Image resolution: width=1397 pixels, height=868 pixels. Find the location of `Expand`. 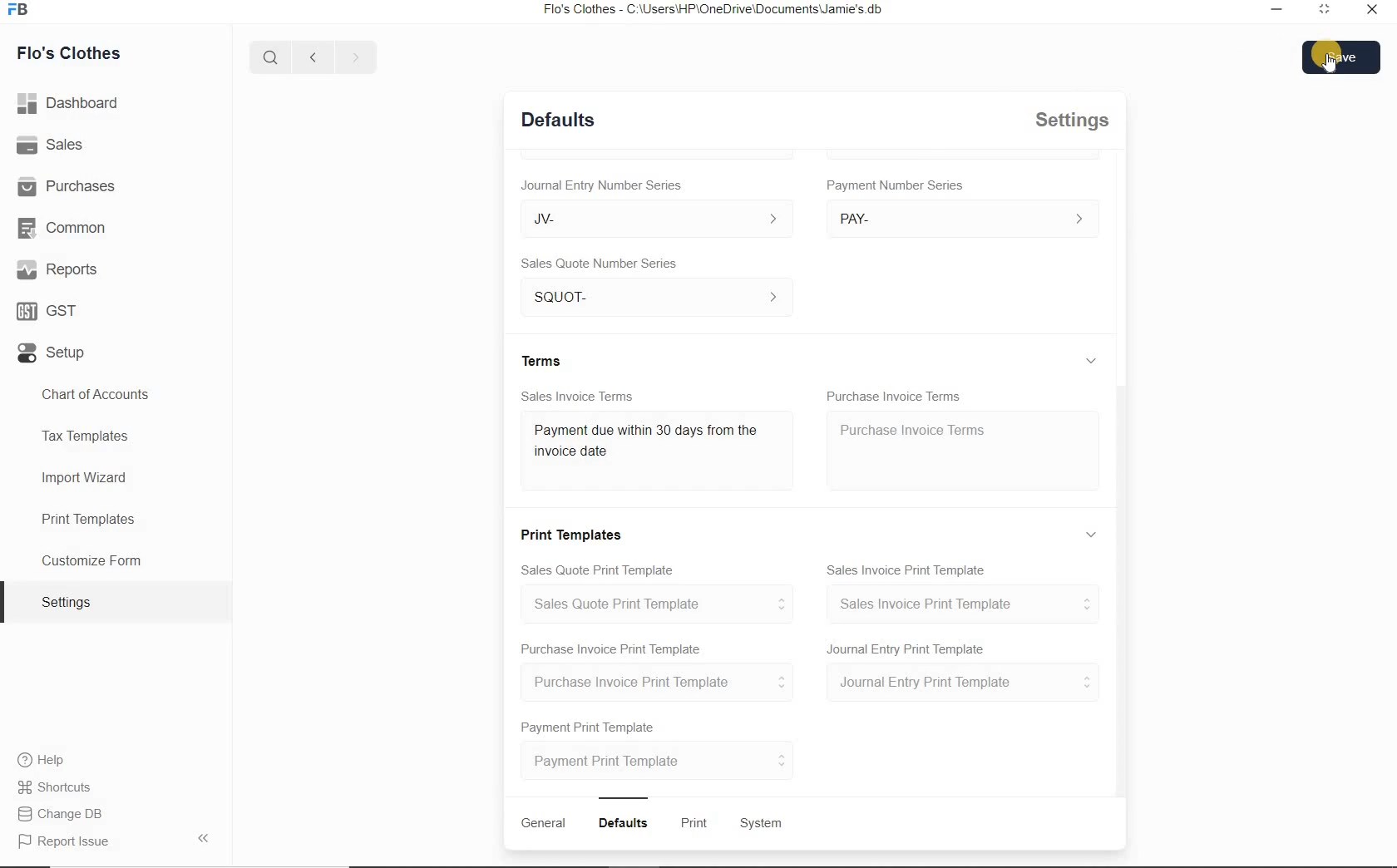

Expand is located at coordinates (1090, 532).